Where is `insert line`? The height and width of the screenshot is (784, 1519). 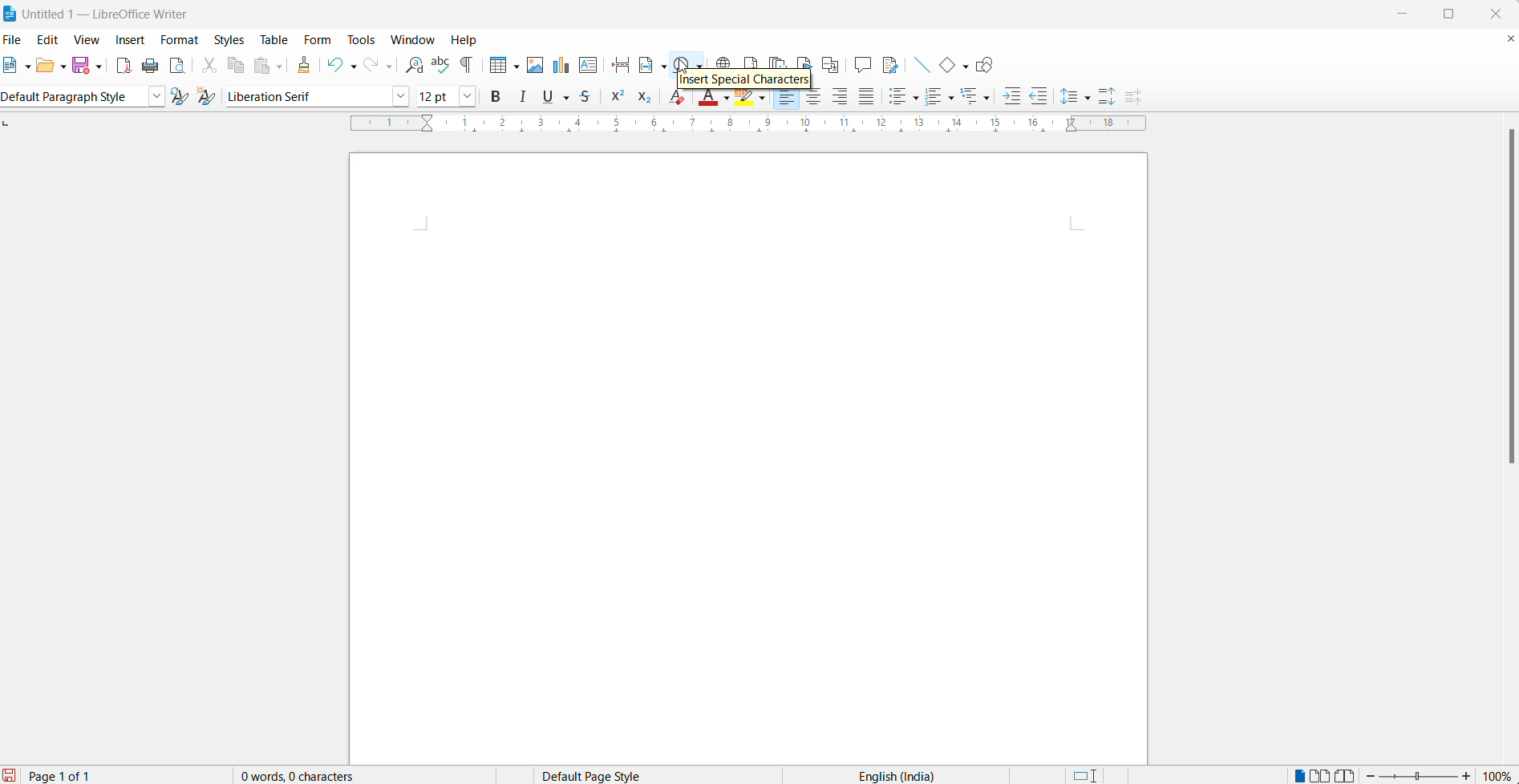
insert line is located at coordinates (920, 66).